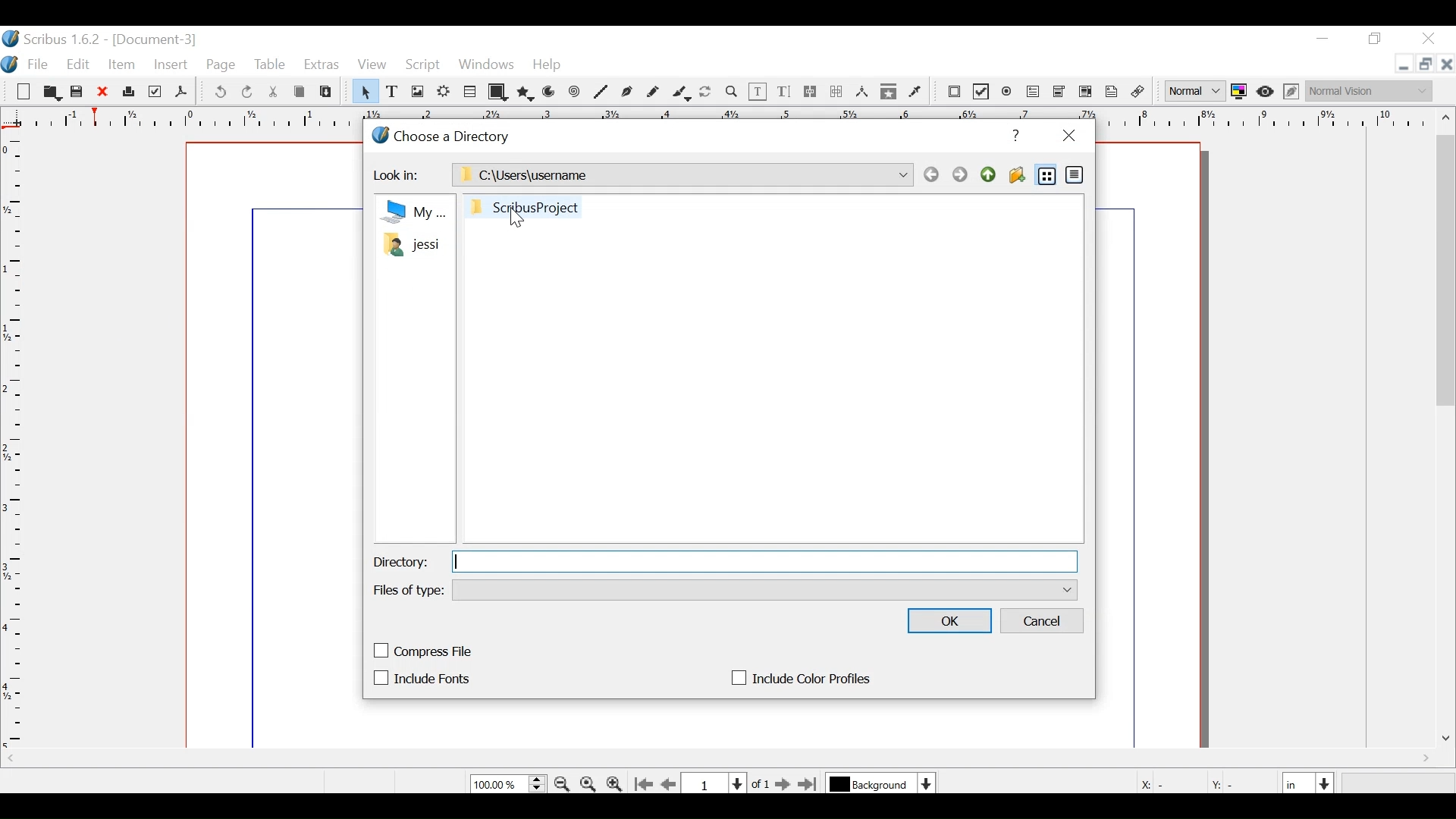 This screenshot has width=1456, height=819. Describe the element at coordinates (1068, 137) in the screenshot. I see `Close` at that location.